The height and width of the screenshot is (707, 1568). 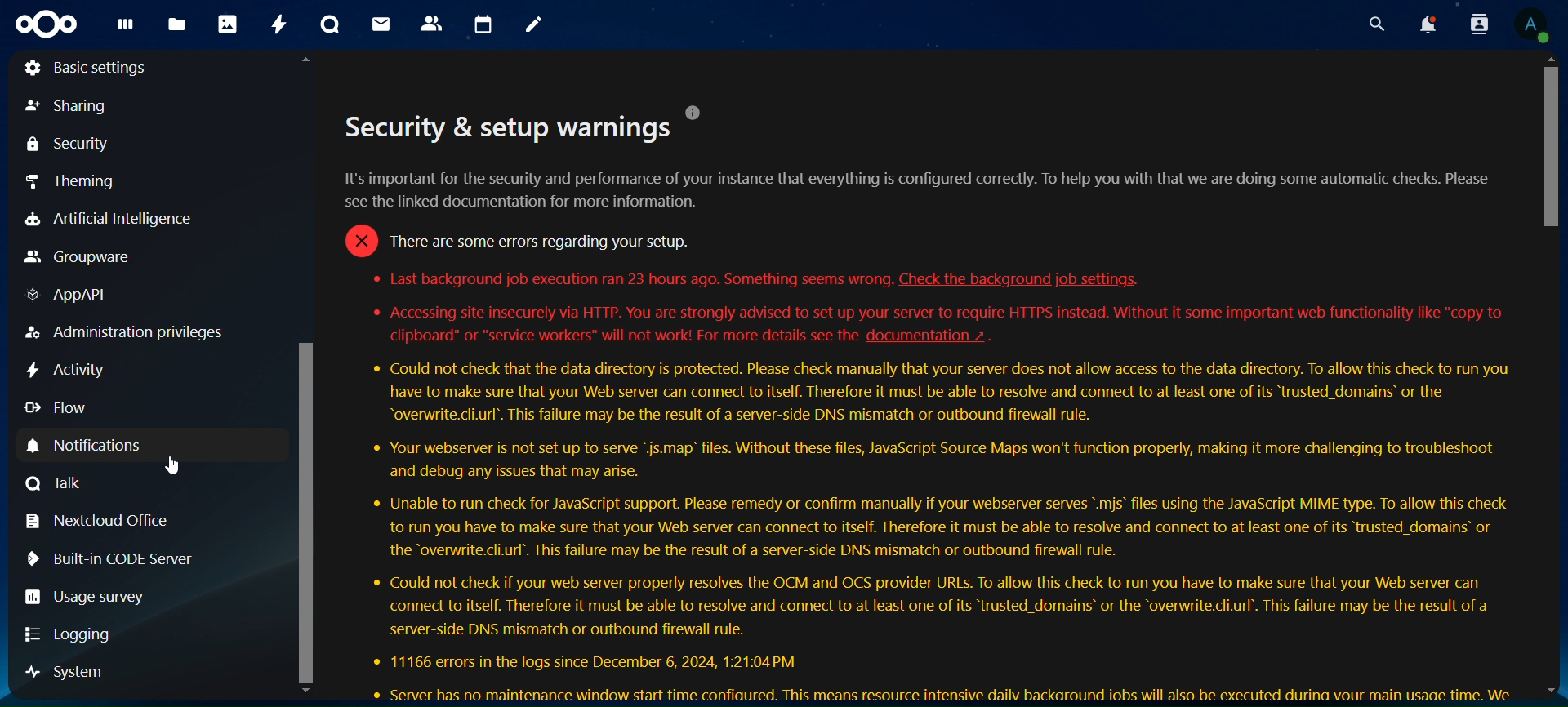 I want to click on nextcloud office, so click(x=103, y=520).